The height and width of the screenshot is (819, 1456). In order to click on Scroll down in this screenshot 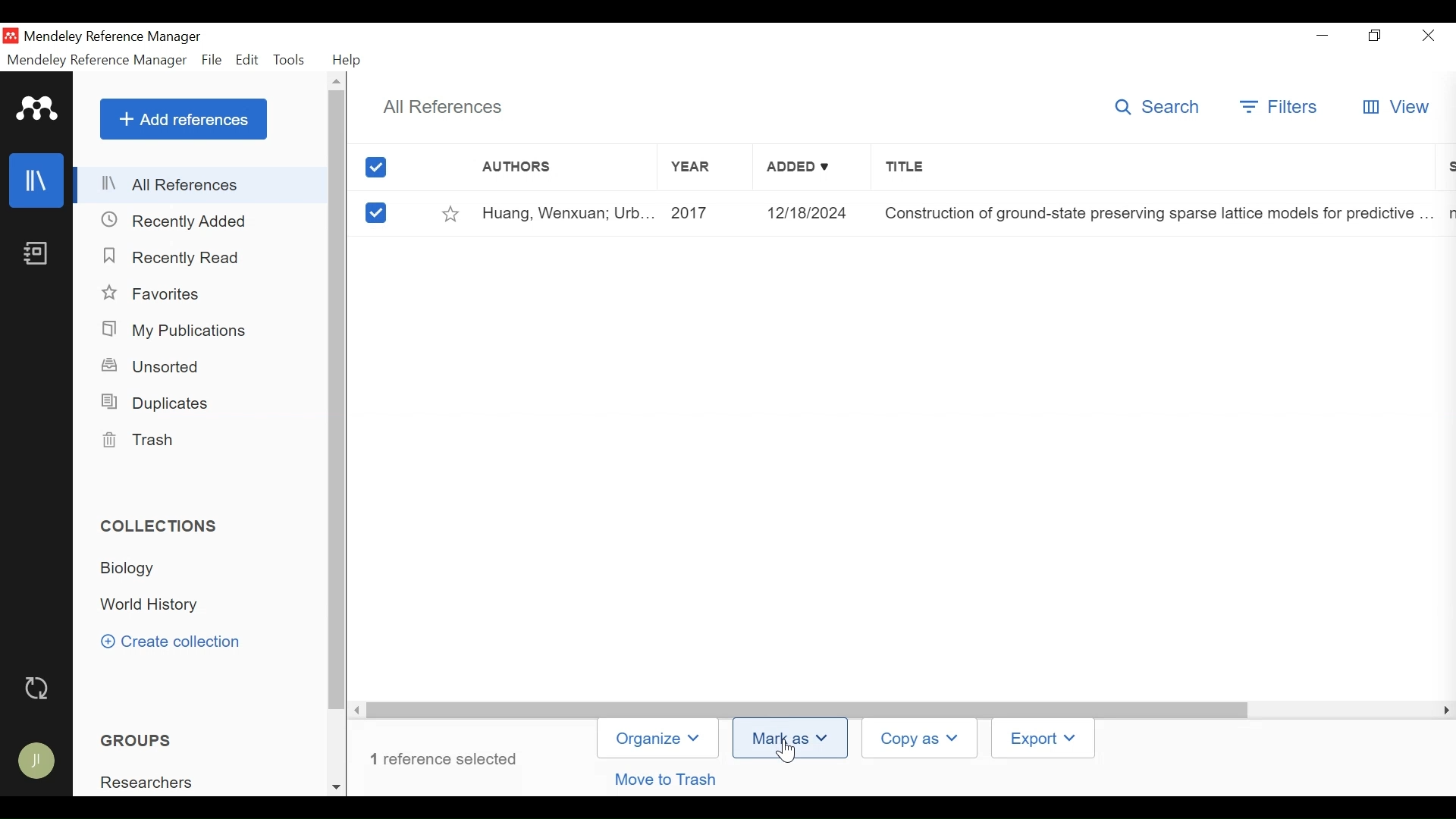, I will do `click(336, 787)`.